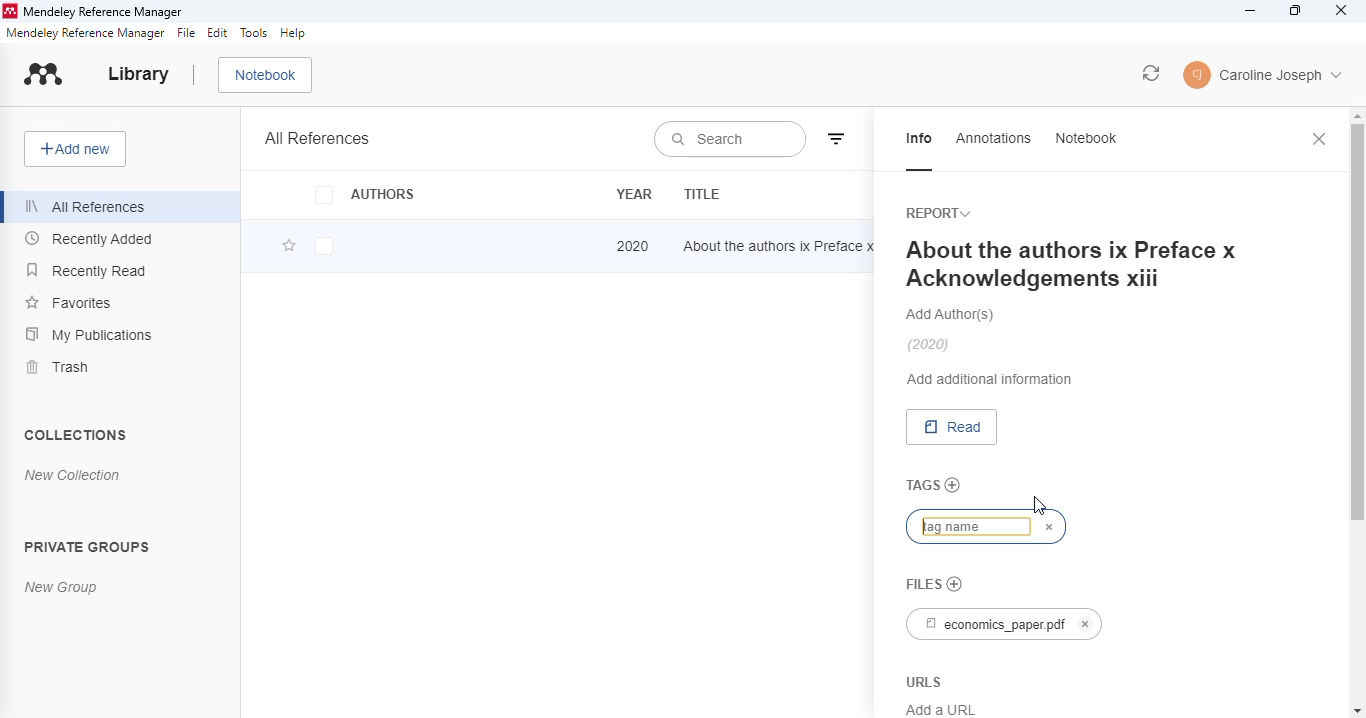 The width and height of the screenshot is (1366, 718). Describe the element at coordinates (1071, 263) in the screenshot. I see `About the authors ix Preface x Acknowledgements xiii` at that location.